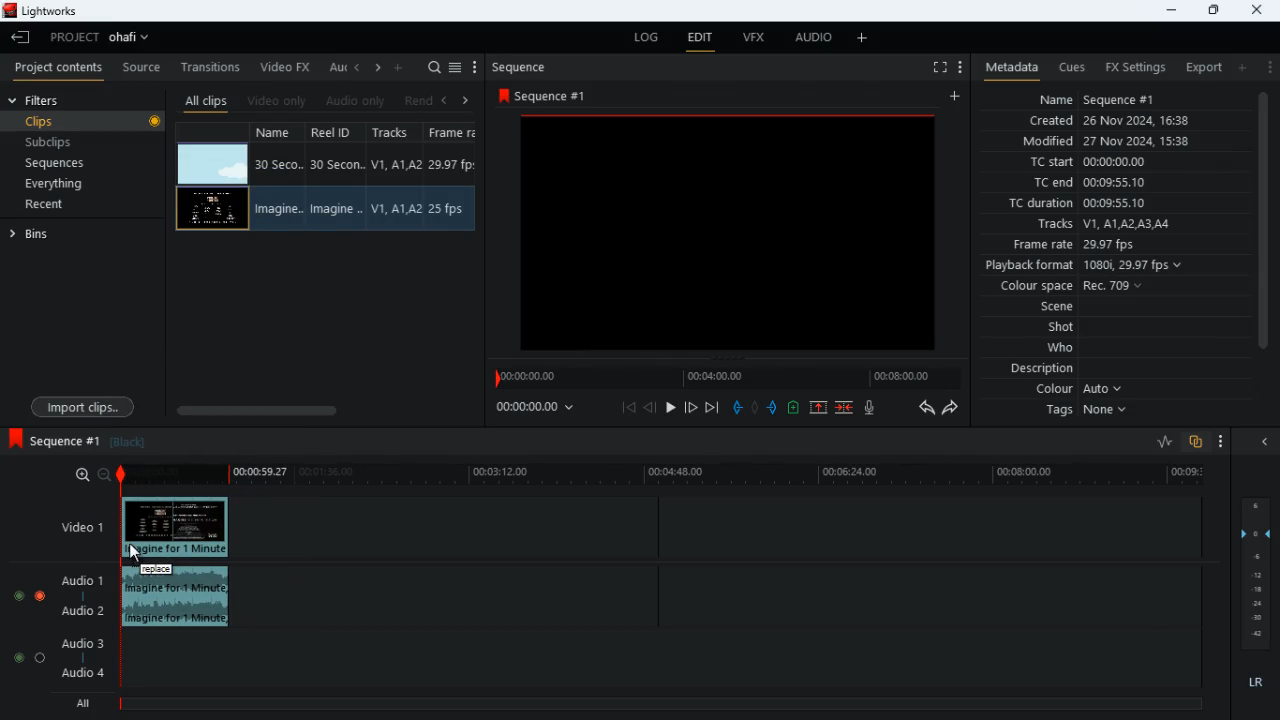 The width and height of the screenshot is (1280, 720). What do you see at coordinates (661, 655) in the screenshot?
I see `timeline tracks` at bounding box center [661, 655].